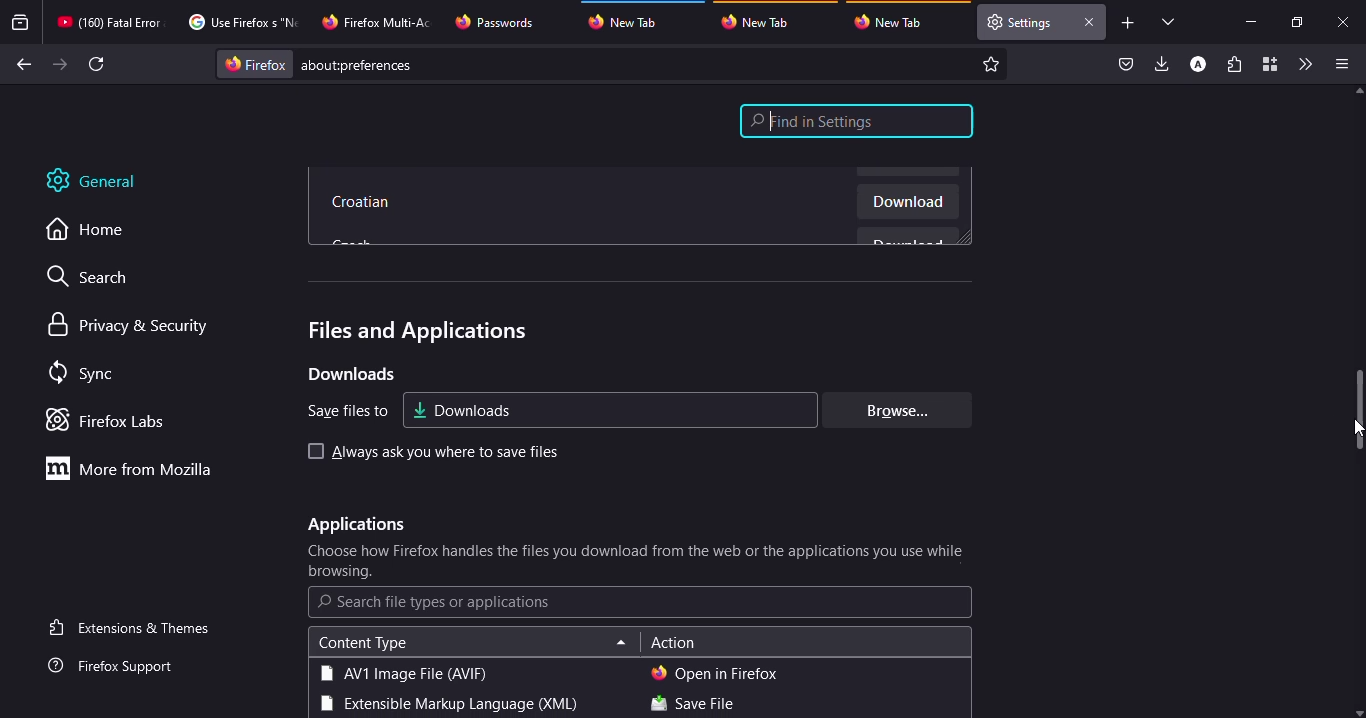 The width and height of the screenshot is (1366, 718). What do you see at coordinates (1295, 22) in the screenshot?
I see `maximize` at bounding box center [1295, 22].